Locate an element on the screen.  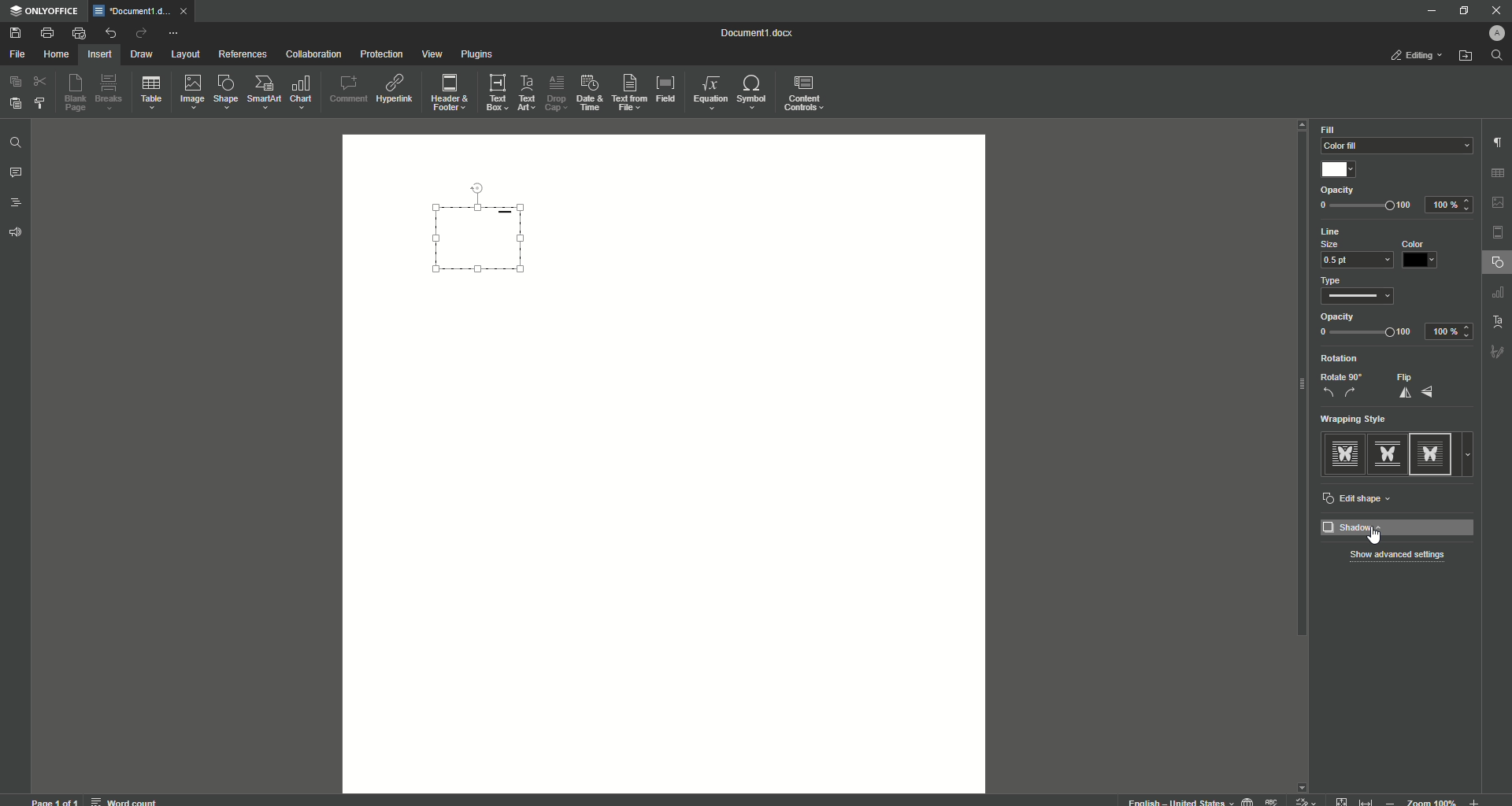
Color Fill is located at coordinates (1393, 146).